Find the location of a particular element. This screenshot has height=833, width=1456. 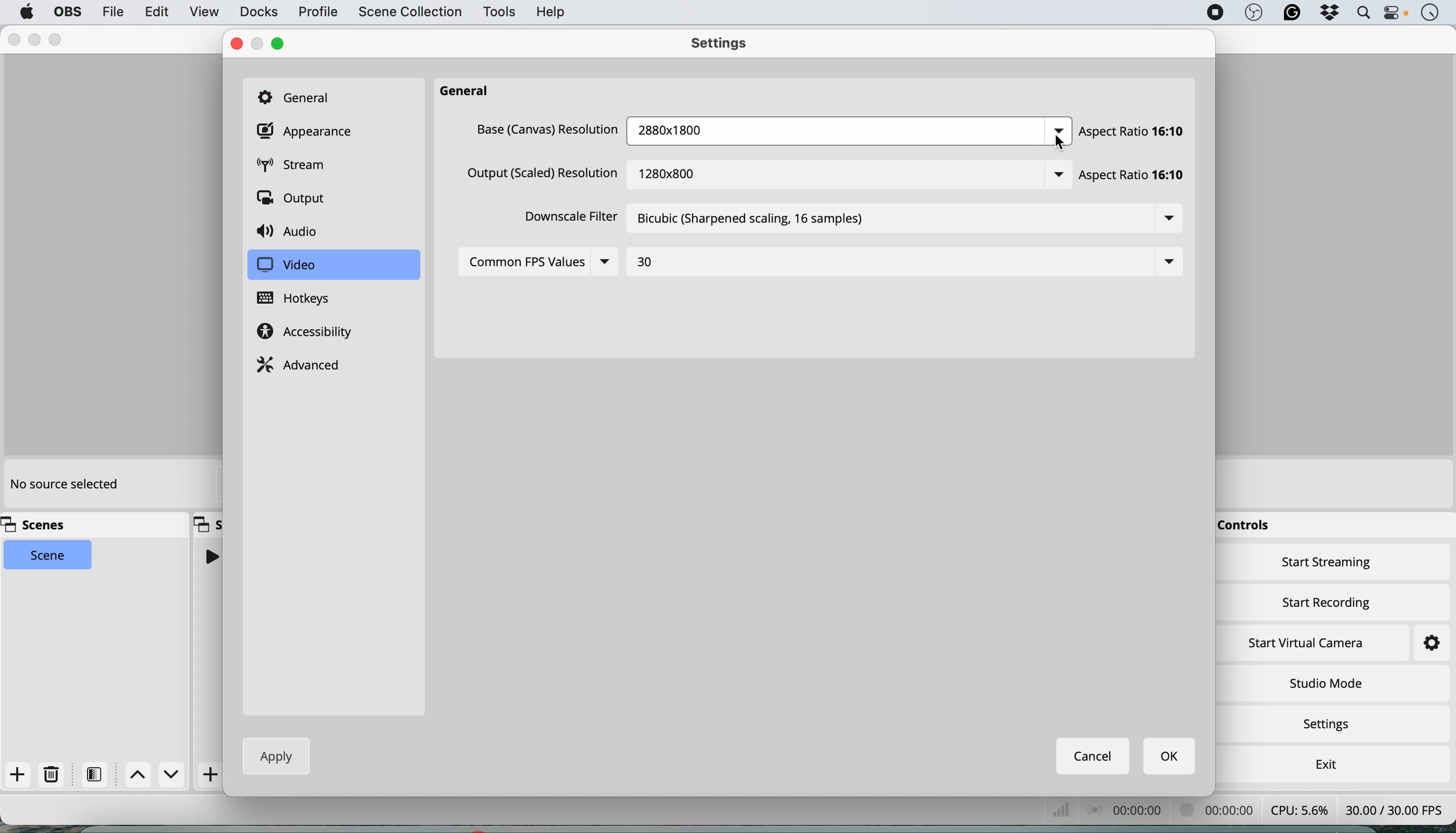

switch between scenes is located at coordinates (156, 775).